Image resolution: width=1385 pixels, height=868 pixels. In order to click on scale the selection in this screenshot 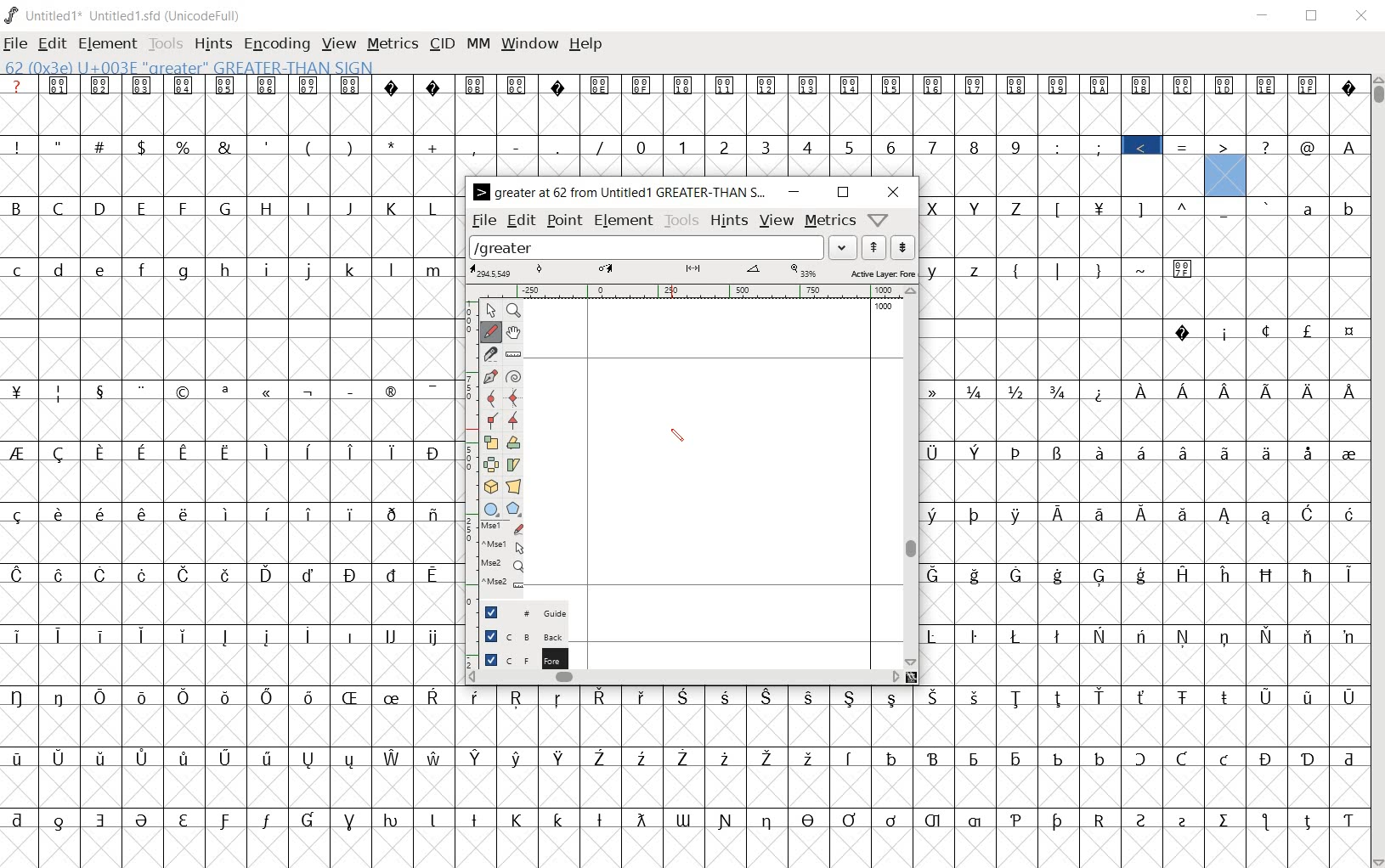, I will do `click(489, 442)`.